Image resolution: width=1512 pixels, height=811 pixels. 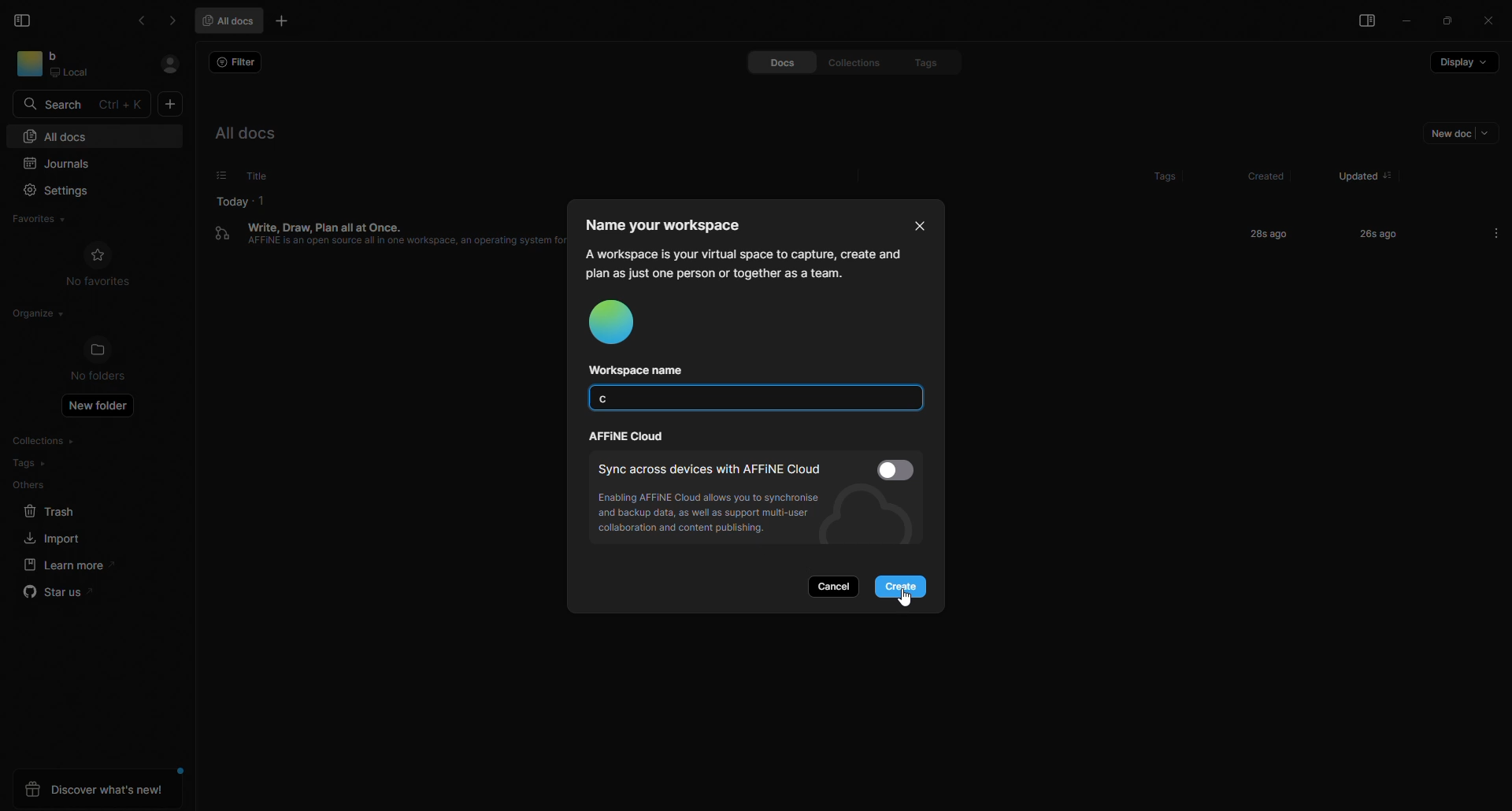 What do you see at coordinates (768, 63) in the screenshot?
I see `docs` at bounding box center [768, 63].